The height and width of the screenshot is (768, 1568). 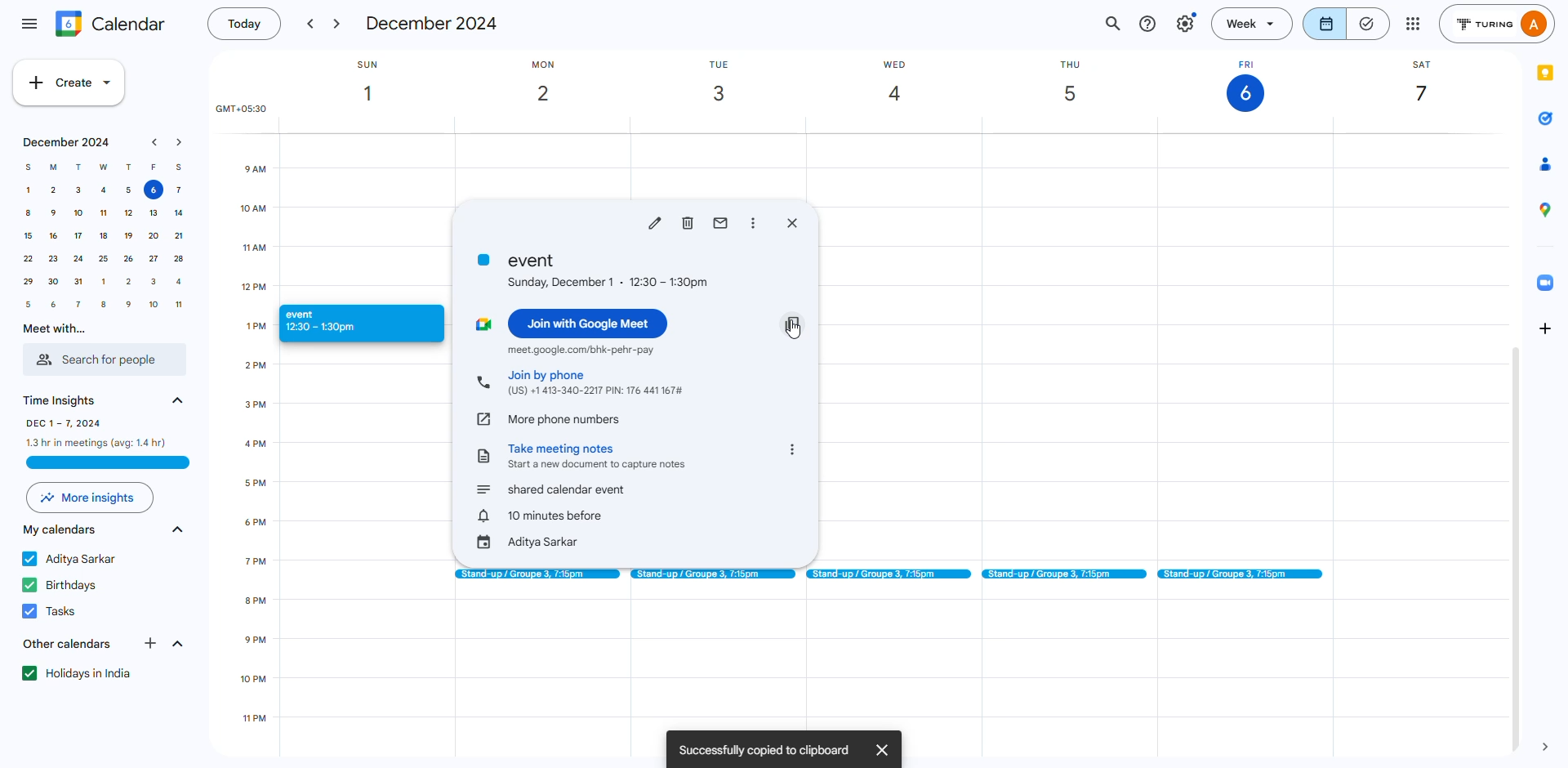 I want to click on copied, so click(x=764, y=748).